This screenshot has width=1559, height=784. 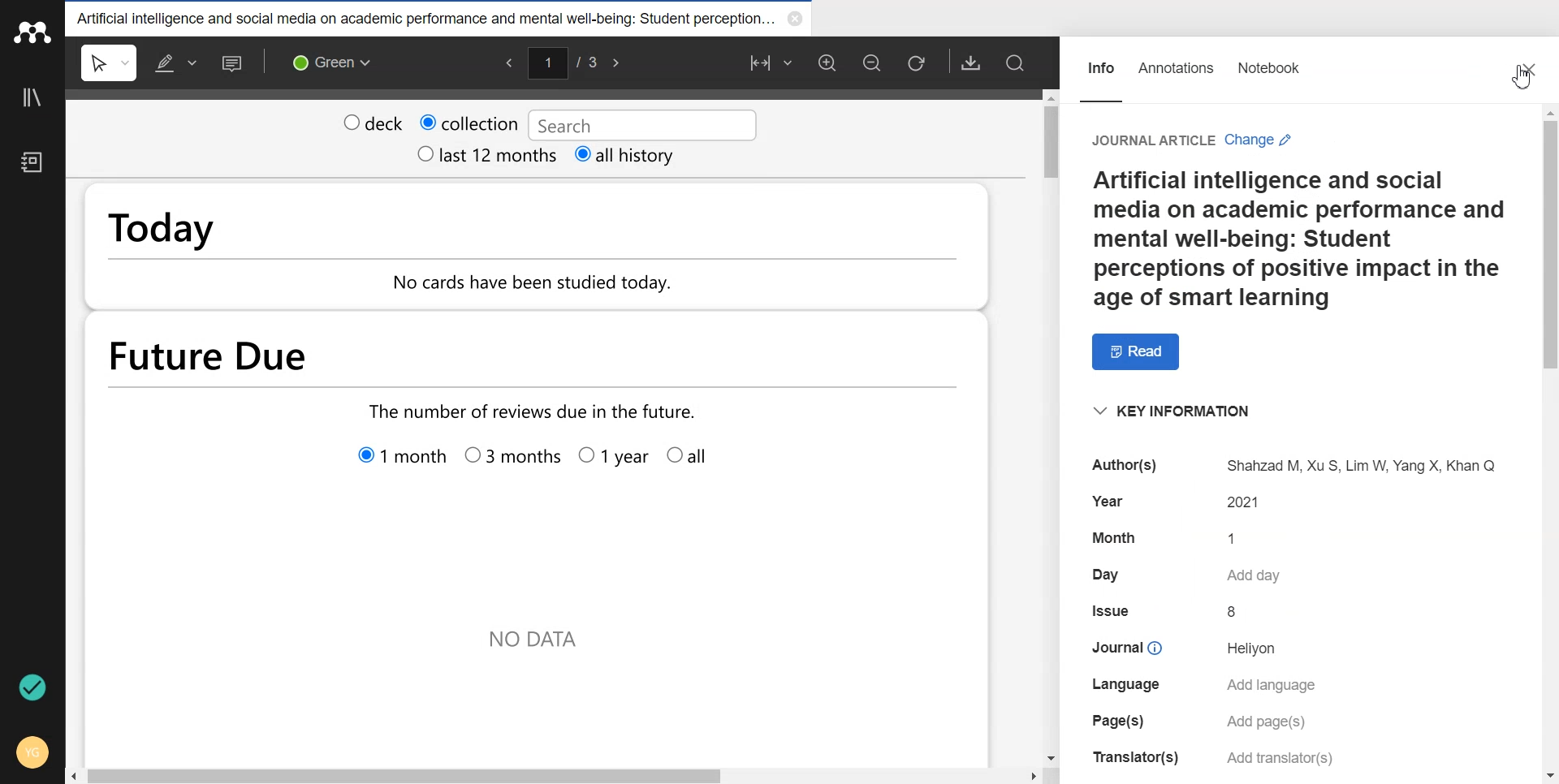 What do you see at coordinates (1129, 351) in the screenshot?
I see `Read` at bounding box center [1129, 351].